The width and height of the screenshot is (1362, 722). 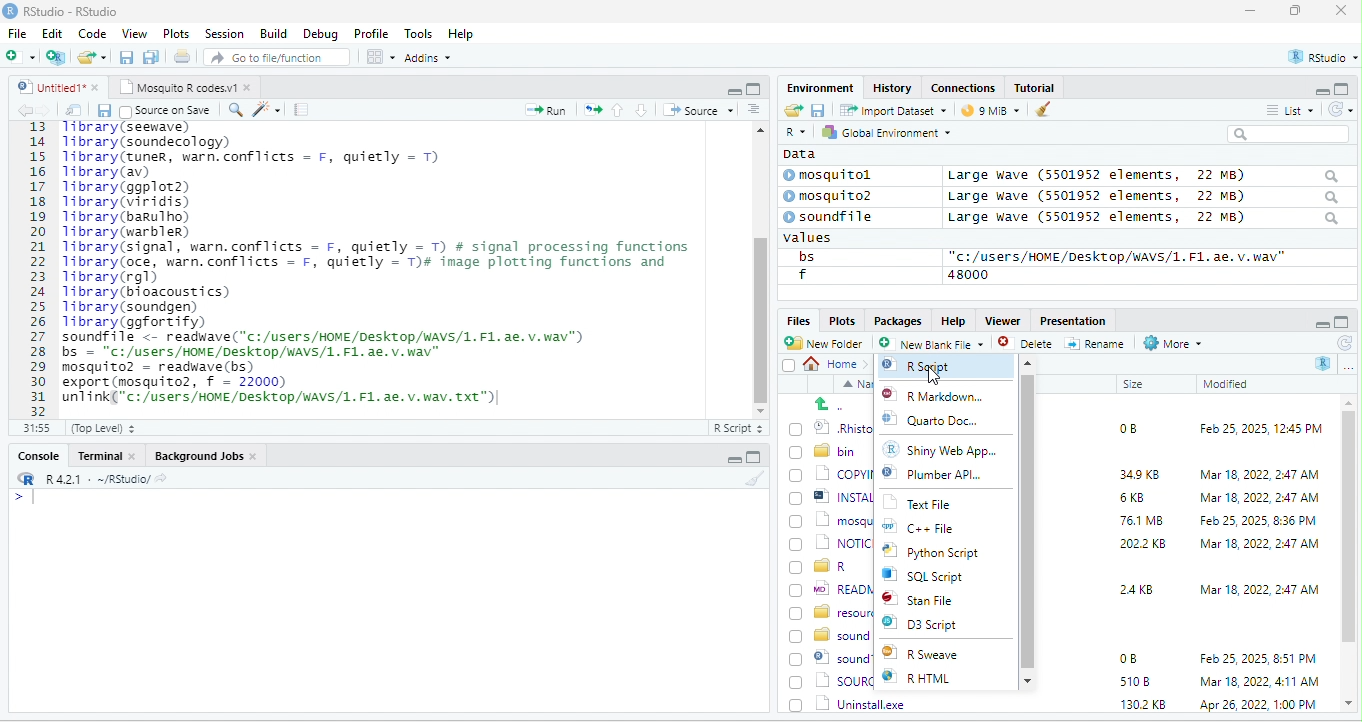 What do you see at coordinates (733, 90) in the screenshot?
I see `minimize` at bounding box center [733, 90].